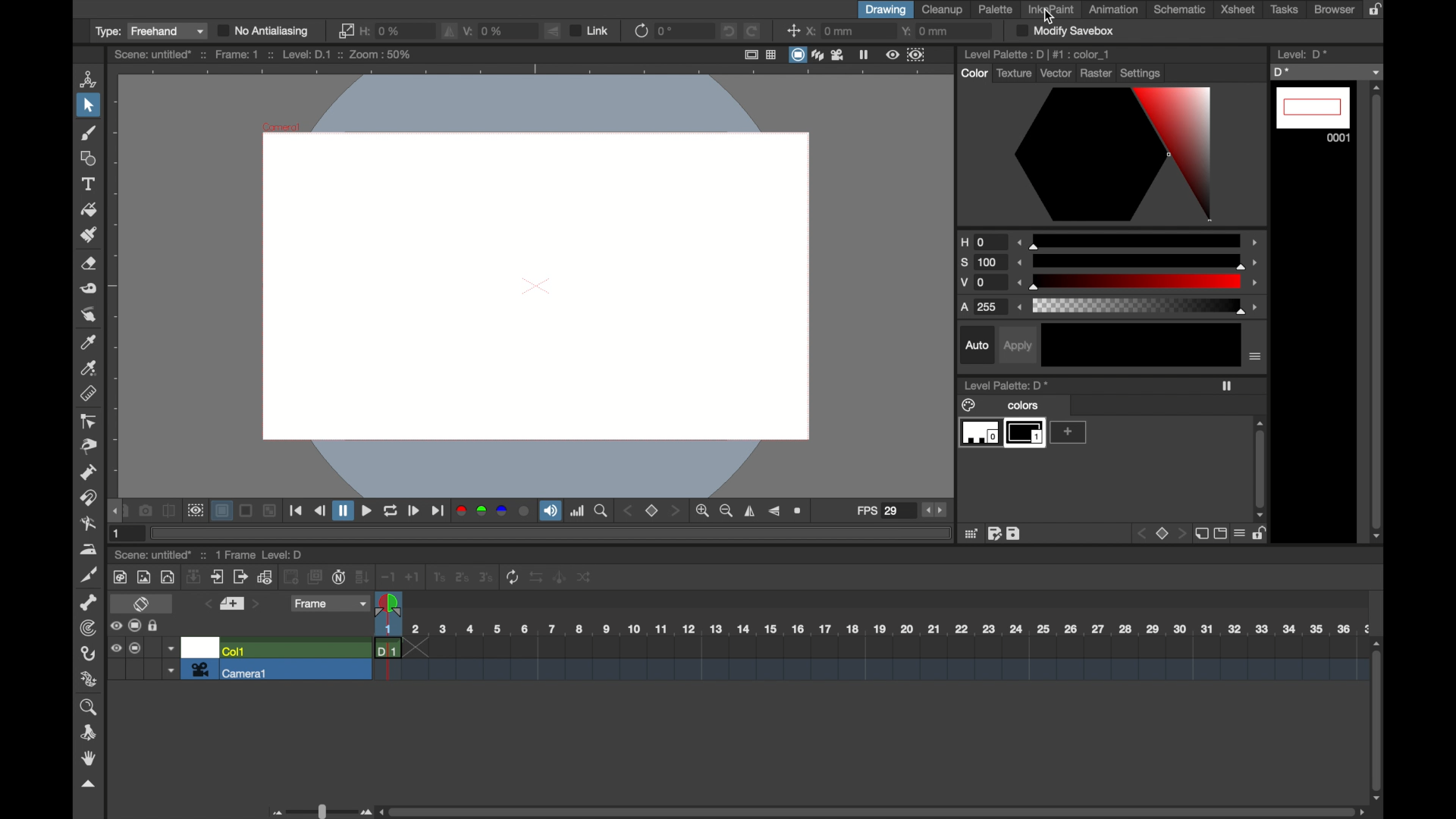 The height and width of the screenshot is (819, 1456). Describe the element at coordinates (552, 30) in the screenshot. I see `flip vertically` at that location.